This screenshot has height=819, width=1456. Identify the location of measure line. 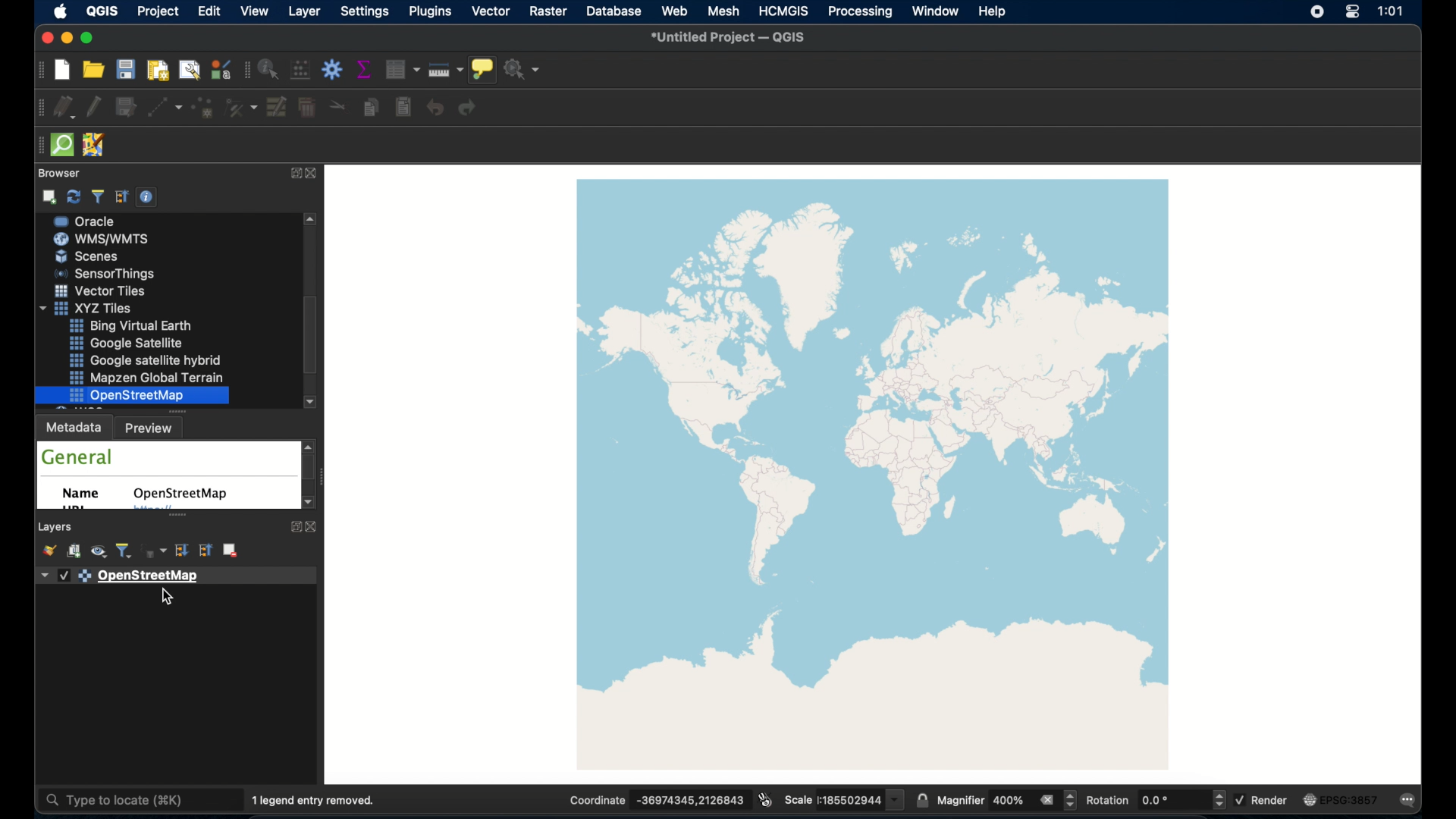
(446, 70).